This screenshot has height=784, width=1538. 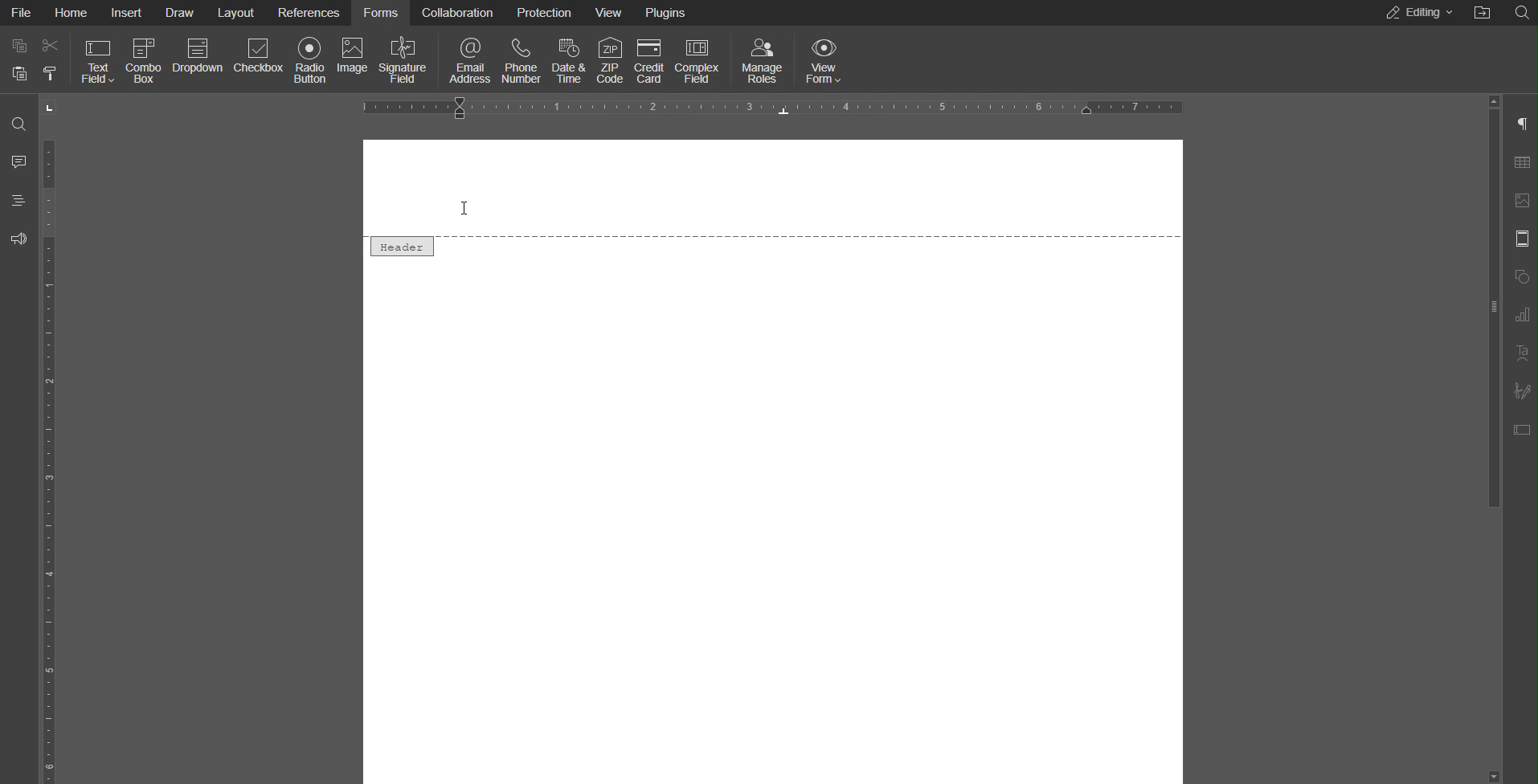 I want to click on Vertical Ruler, so click(x=53, y=439).